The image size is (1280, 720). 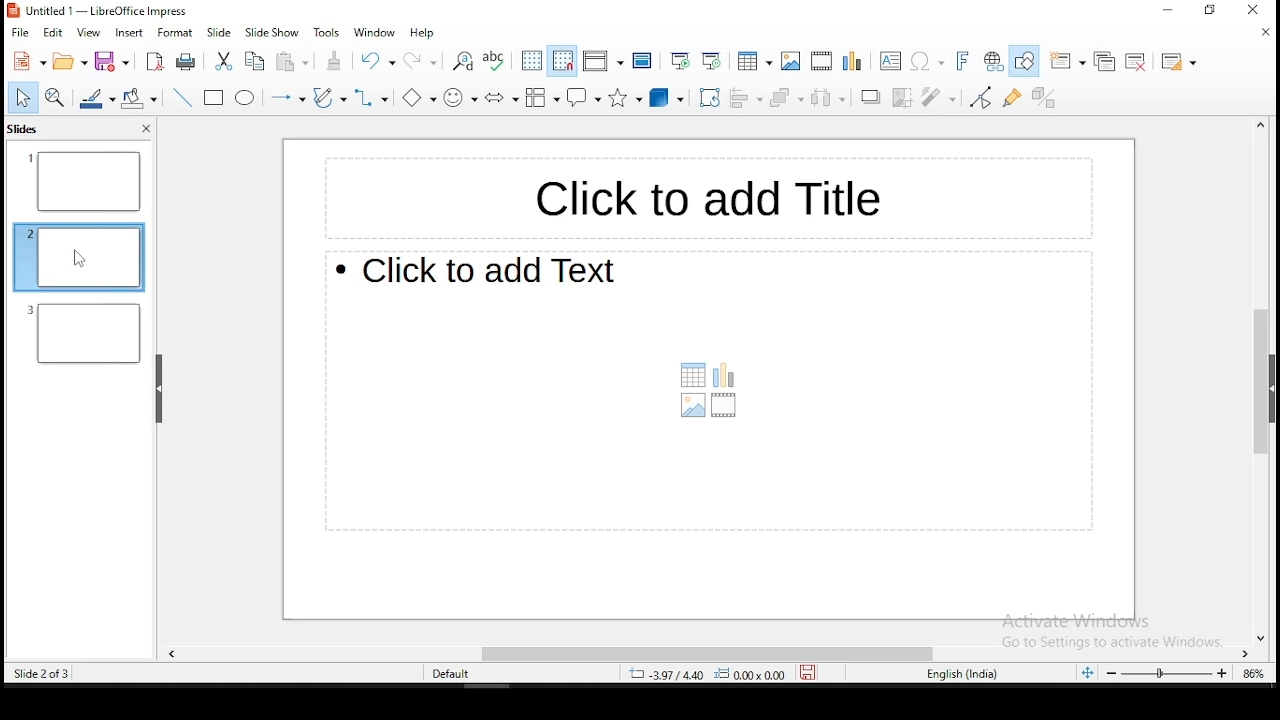 I want to click on insert chart, so click(x=851, y=61).